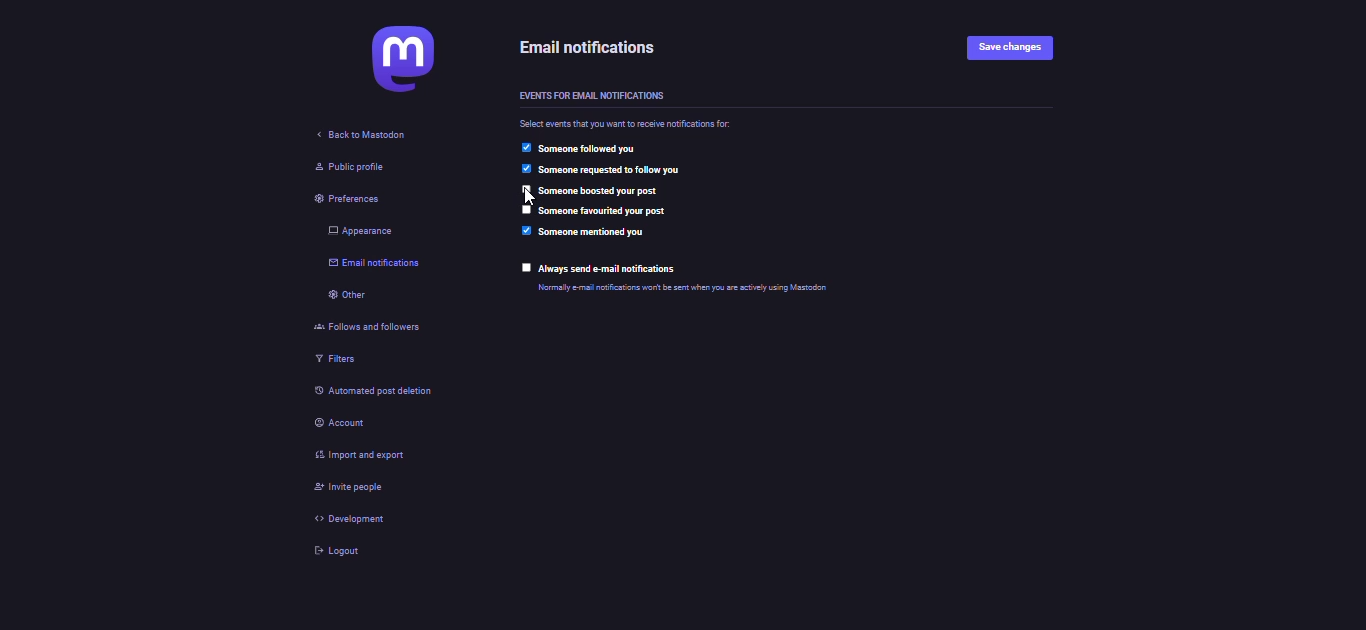 This screenshot has height=630, width=1366. I want to click on events, so click(591, 93).